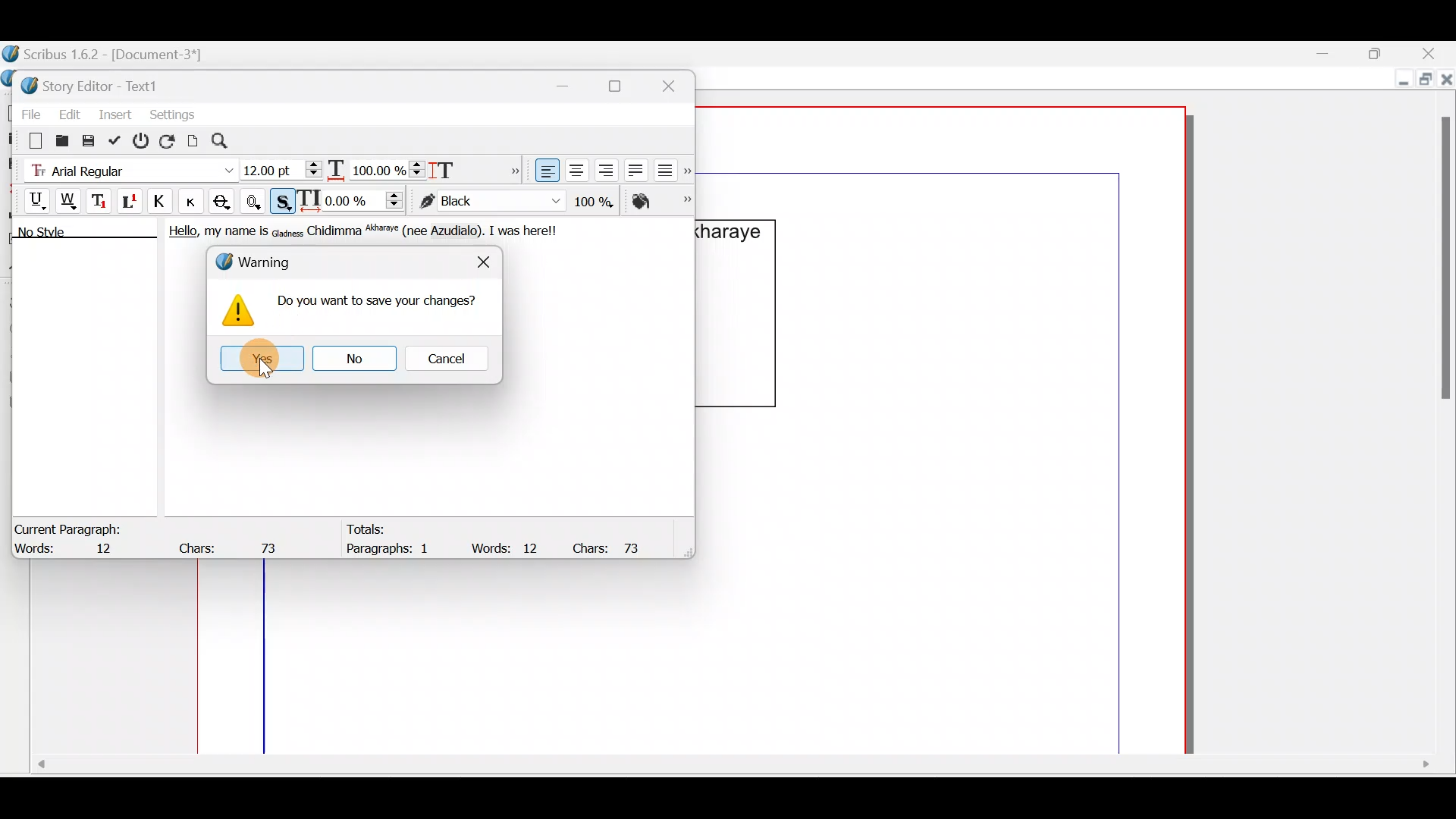  Describe the element at coordinates (335, 231) in the screenshot. I see `Chidimma` at that location.